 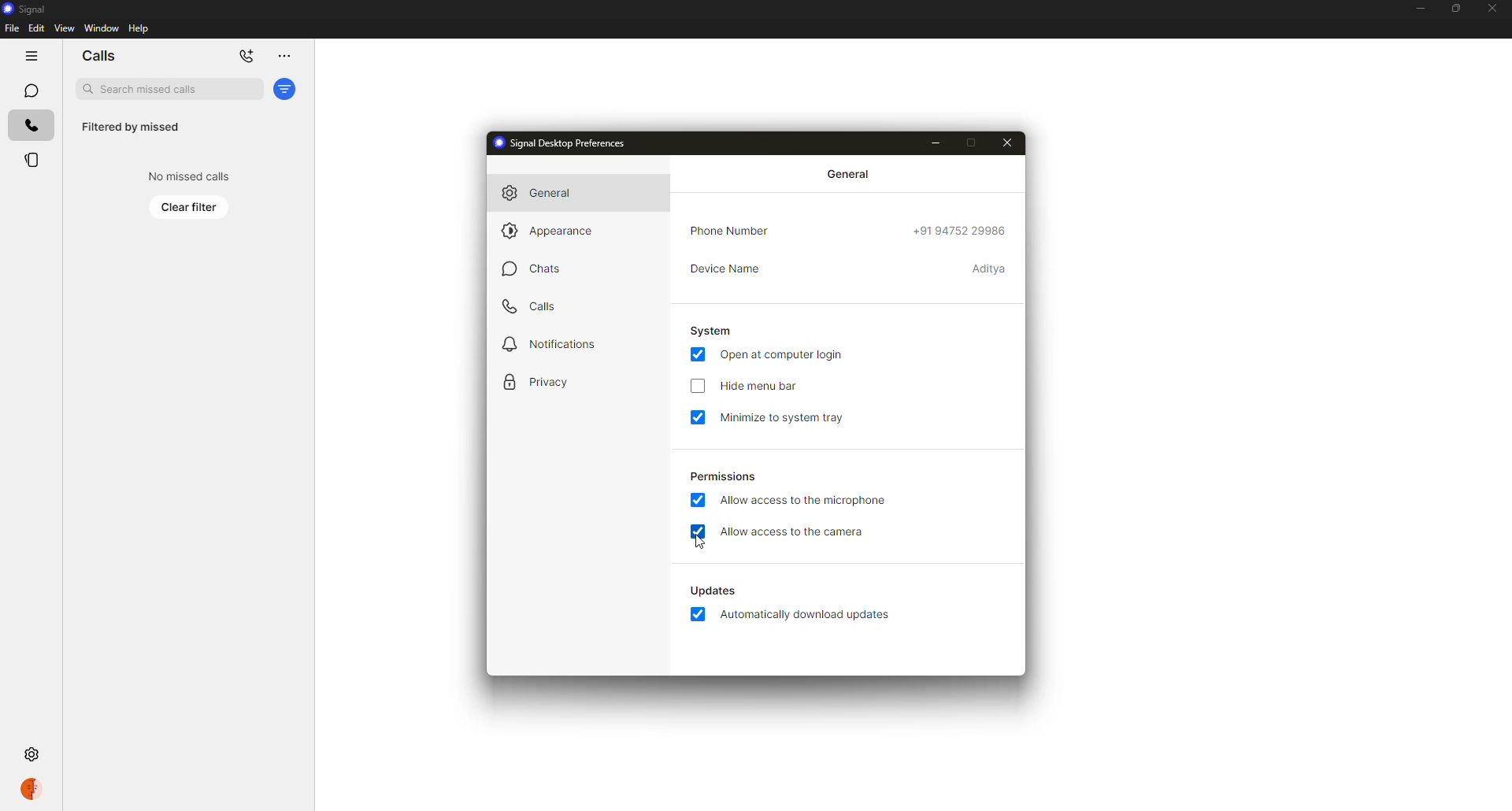 What do you see at coordinates (551, 345) in the screenshot?
I see `notifications` at bounding box center [551, 345].